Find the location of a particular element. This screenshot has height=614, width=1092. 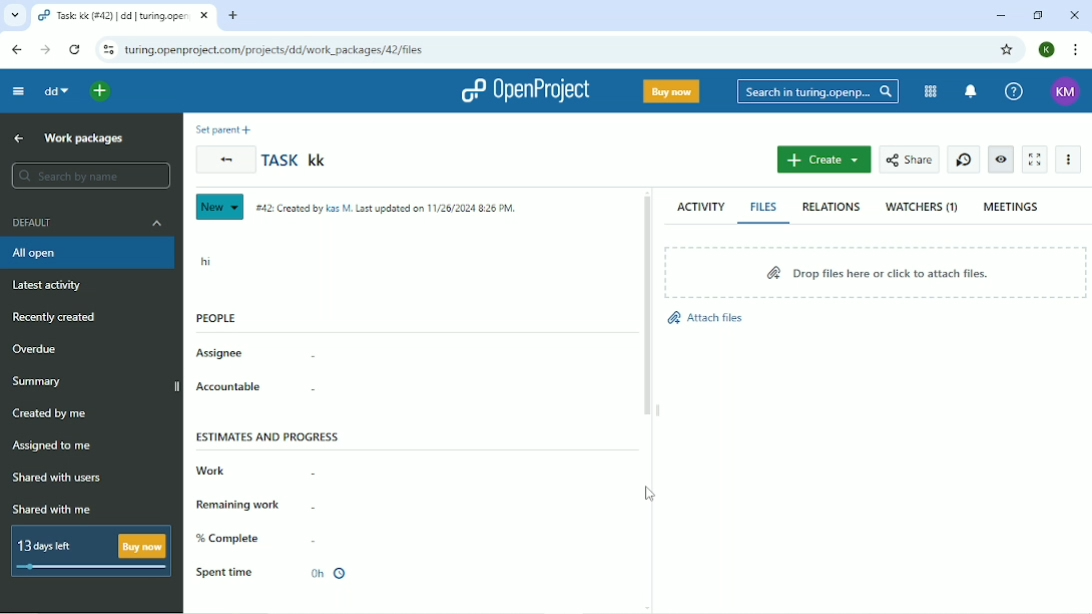

Shared with me is located at coordinates (51, 509).